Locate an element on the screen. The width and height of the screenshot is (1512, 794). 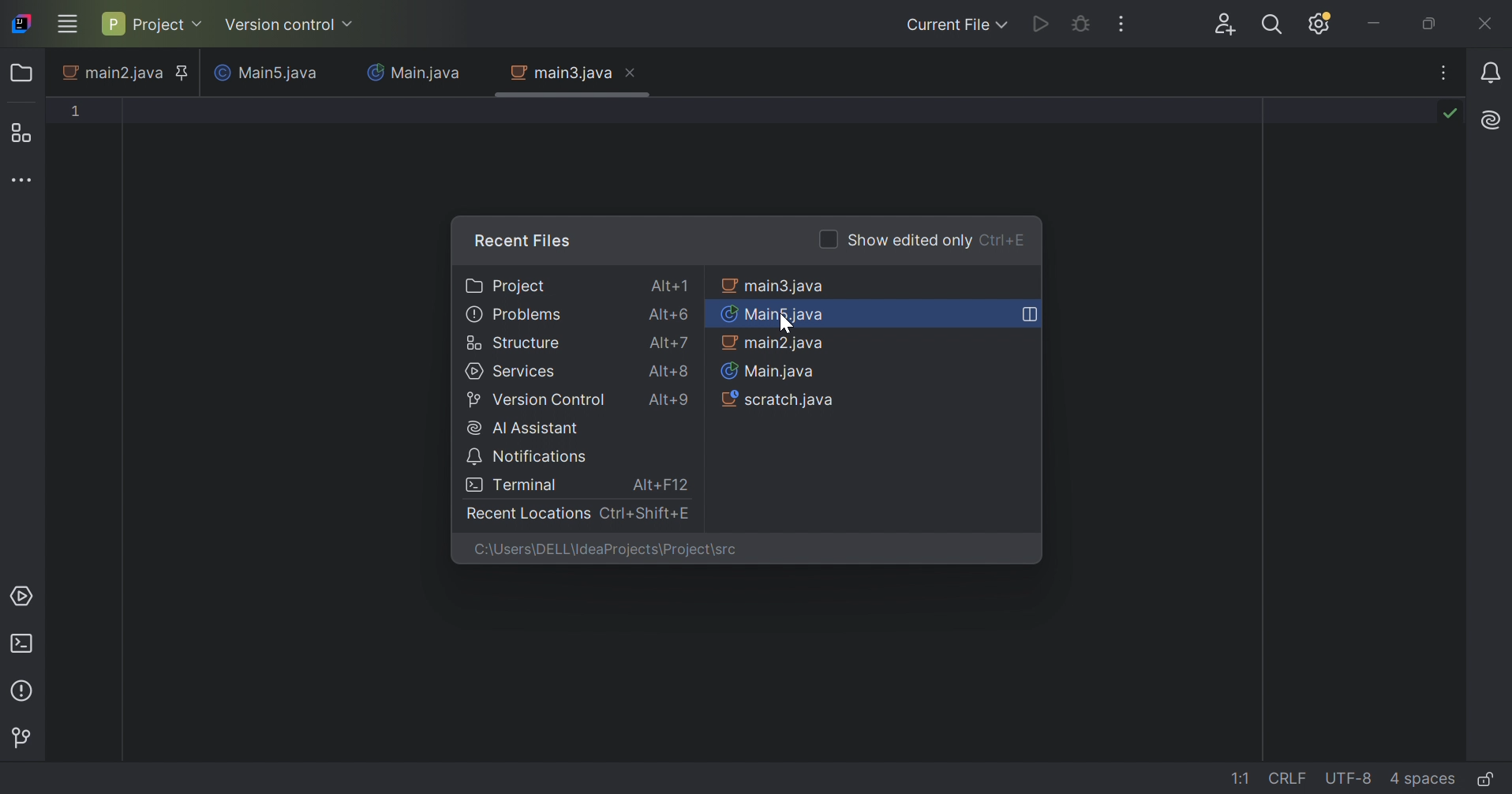
Version control is located at coordinates (19, 737).